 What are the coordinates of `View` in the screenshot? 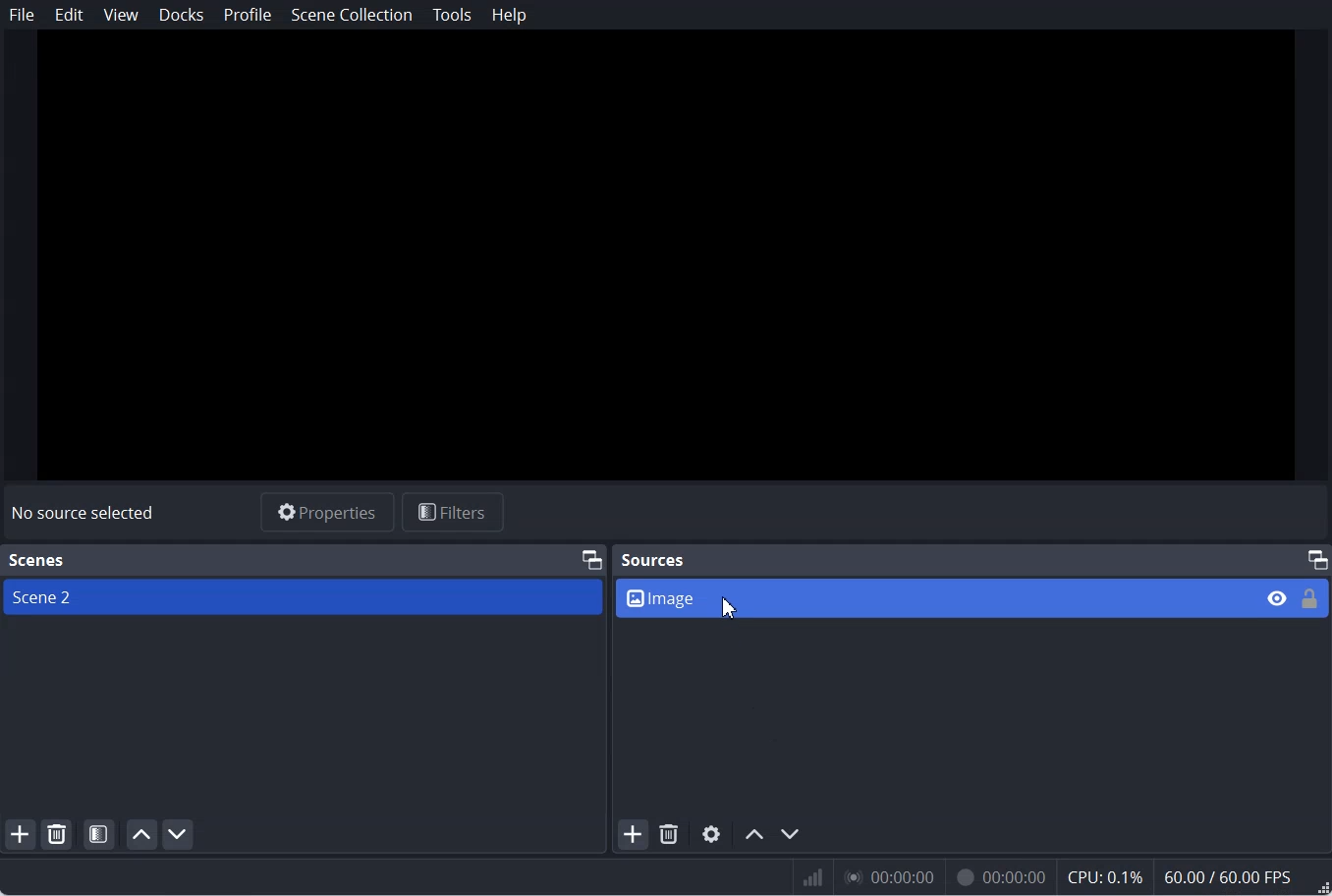 It's located at (121, 15).